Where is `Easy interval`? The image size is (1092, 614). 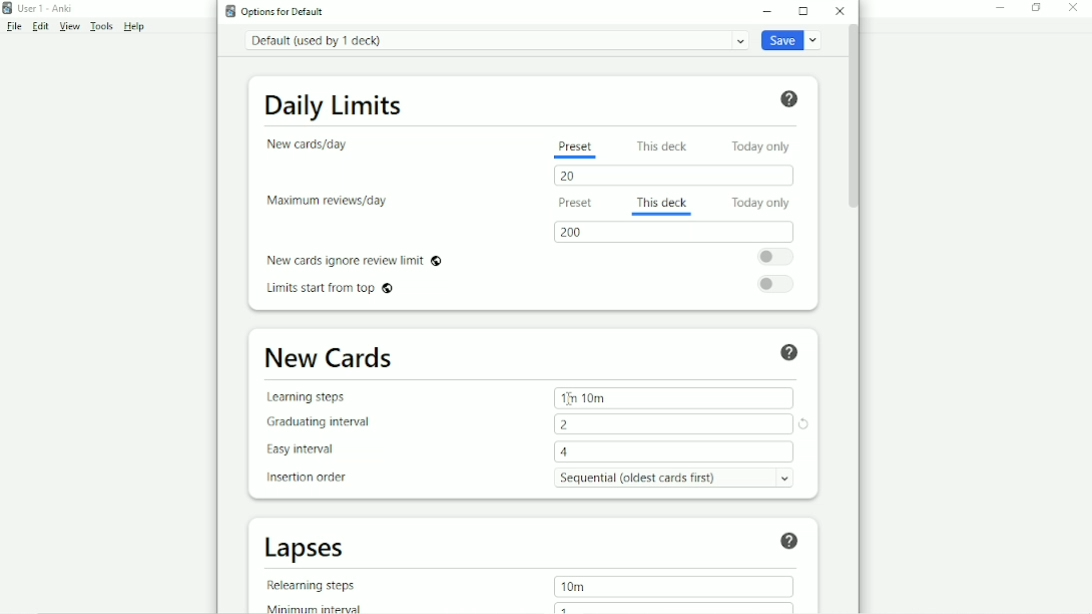
Easy interval is located at coordinates (307, 449).